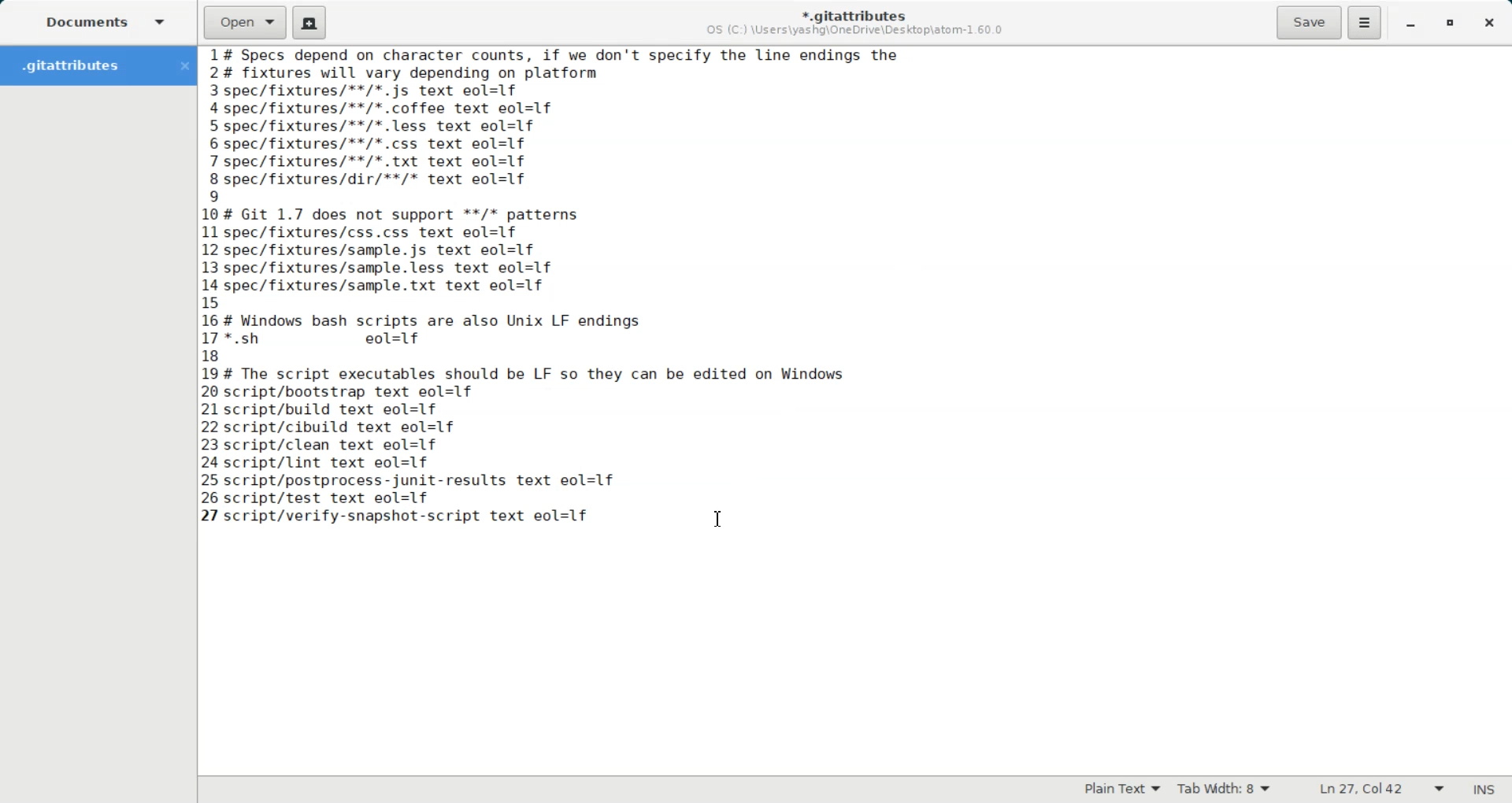  I want to click on # Specs depend on character counts, if we don't specify the line endings the
 # fixtures will vary depending on platform
 spec/fixtures/**/*.js text eol=1f
-spec/fixtures/**/*.coffee text eol=1f
 spec/fixtures/**/*.less text eol=1f
 spec/fixtures/**/*.css text eol=1f
'spec/fixtures/**/*. txt text eol=1f
 spec/fixtures/dir/**/* text eol=1f

| # Git 1.7 does not support **/* patterns
spec/fixtures/css.css text eol=1f
 spec/fixtures/sample.js text eol=1f
 spec/fixtures/sample.less text eol=1f
-spec/fixtures/sample.txt text eol=1f

;

 # Windows bash scripts are also Unix LF endings
'*.sh eol=1f

 # The script executables should be LF so they can be edited on Windows
 script/bootstrap text eol=1f

script/build text eol=1f

script/cibuild text eol=1f

 script/clean text eol=1f

script/lint text eol=1f
 script/postprocess-junit-results text eol=1f
 script/test text eol=1f, so click(576, 276).